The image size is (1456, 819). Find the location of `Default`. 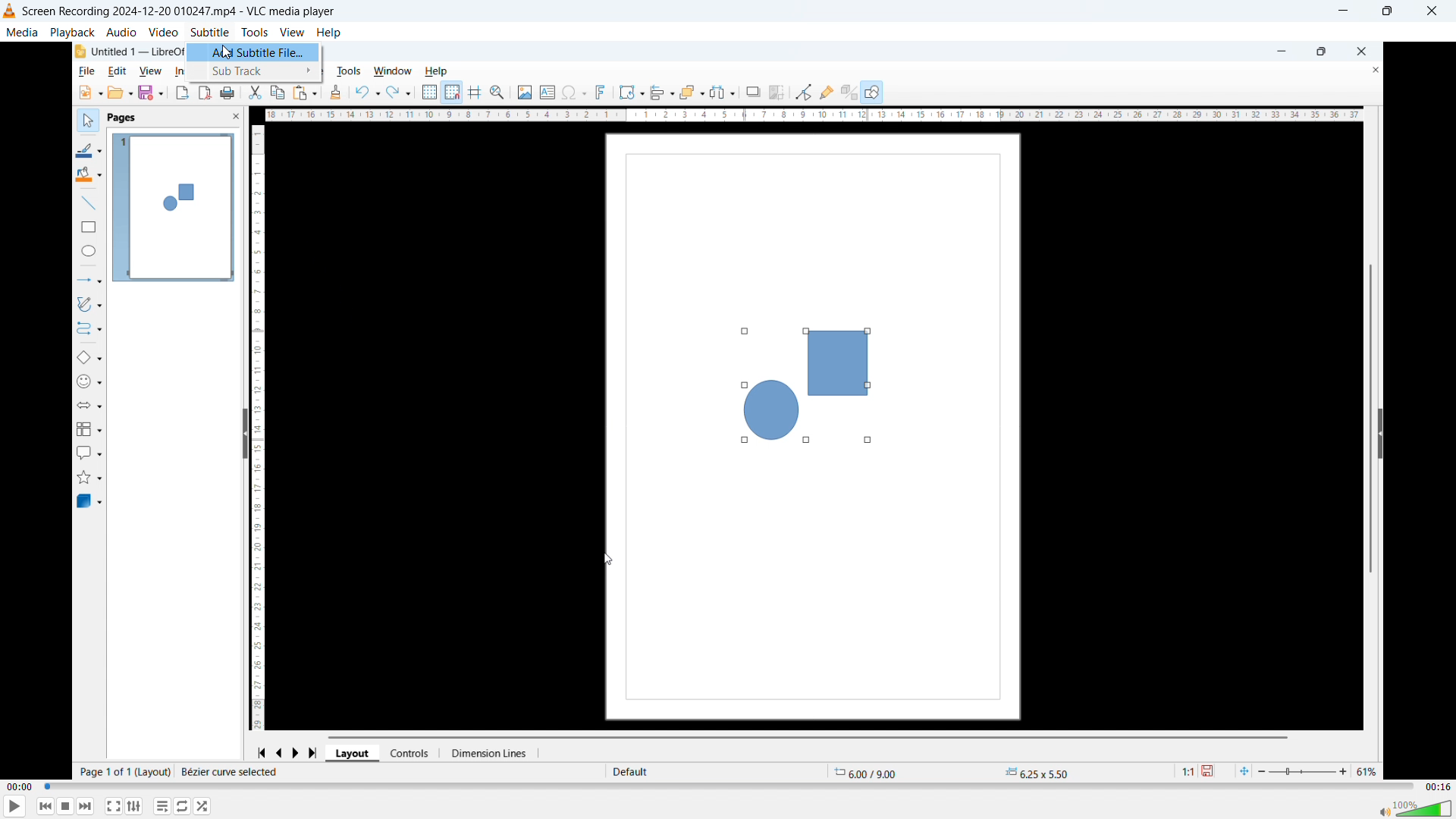

Default is located at coordinates (632, 771).